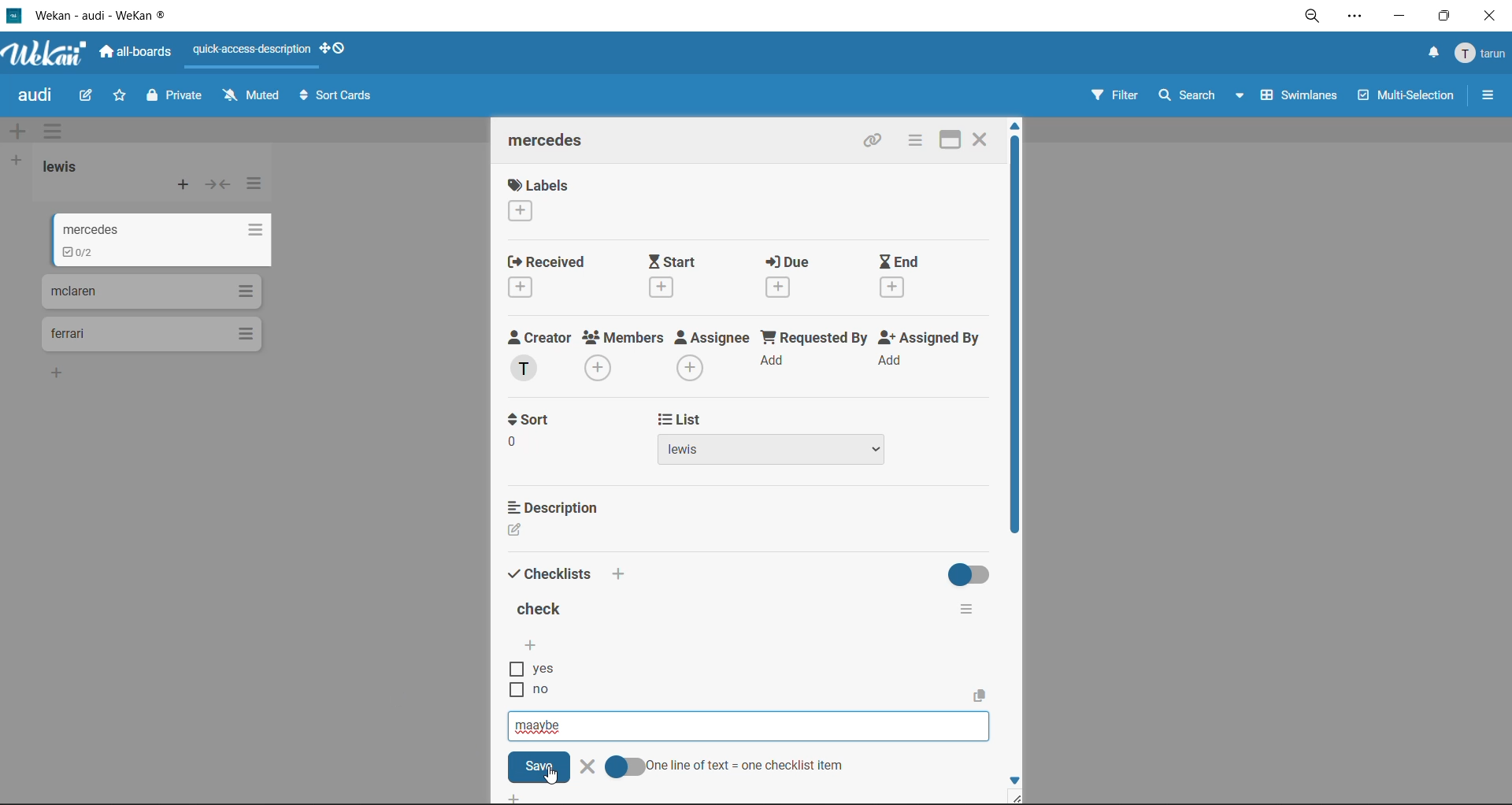 Image resolution: width=1512 pixels, height=805 pixels. What do you see at coordinates (1399, 20) in the screenshot?
I see `minimize` at bounding box center [1399, 20].